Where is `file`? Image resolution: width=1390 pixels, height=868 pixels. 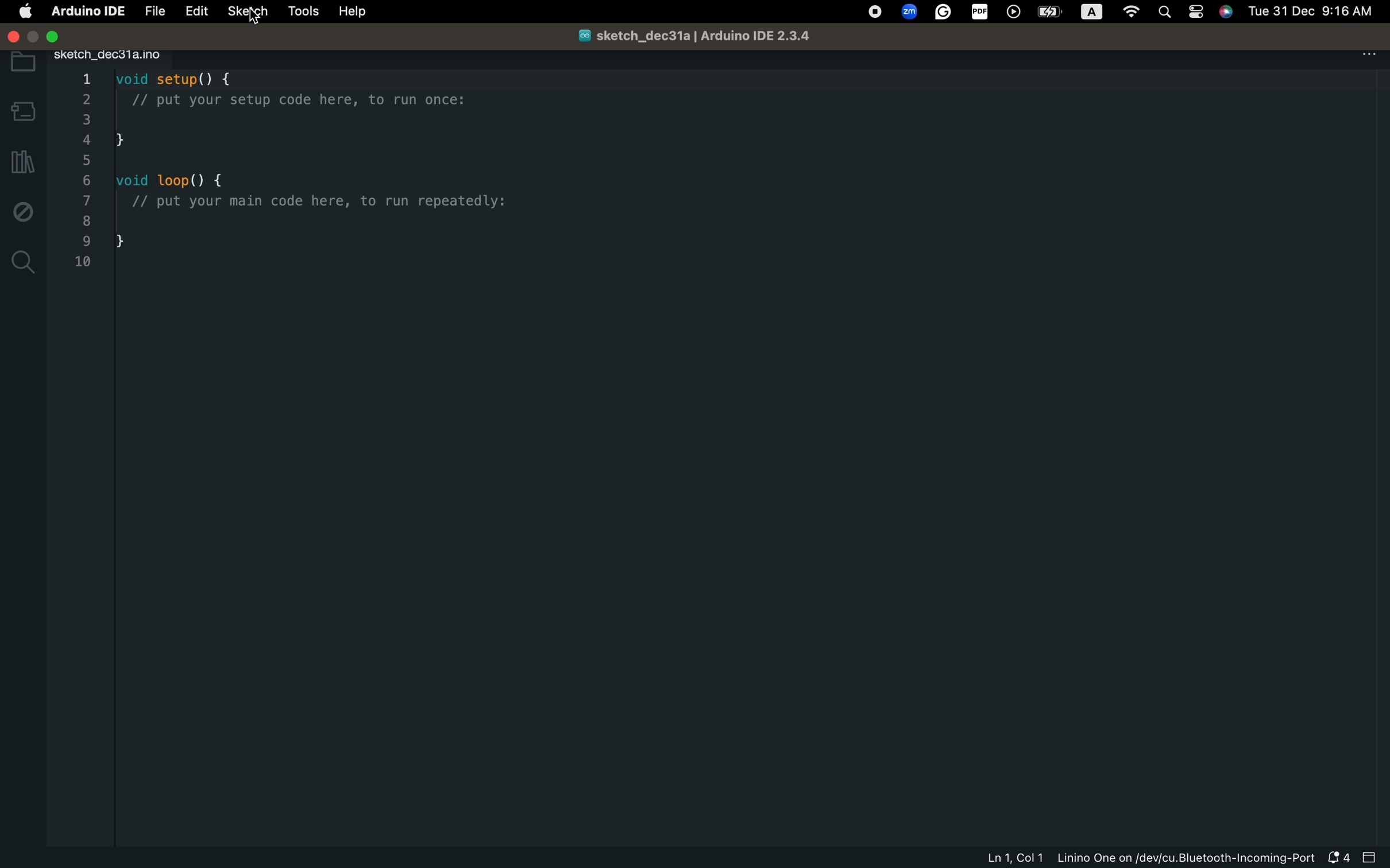 file is located at coordinates (155, 12).